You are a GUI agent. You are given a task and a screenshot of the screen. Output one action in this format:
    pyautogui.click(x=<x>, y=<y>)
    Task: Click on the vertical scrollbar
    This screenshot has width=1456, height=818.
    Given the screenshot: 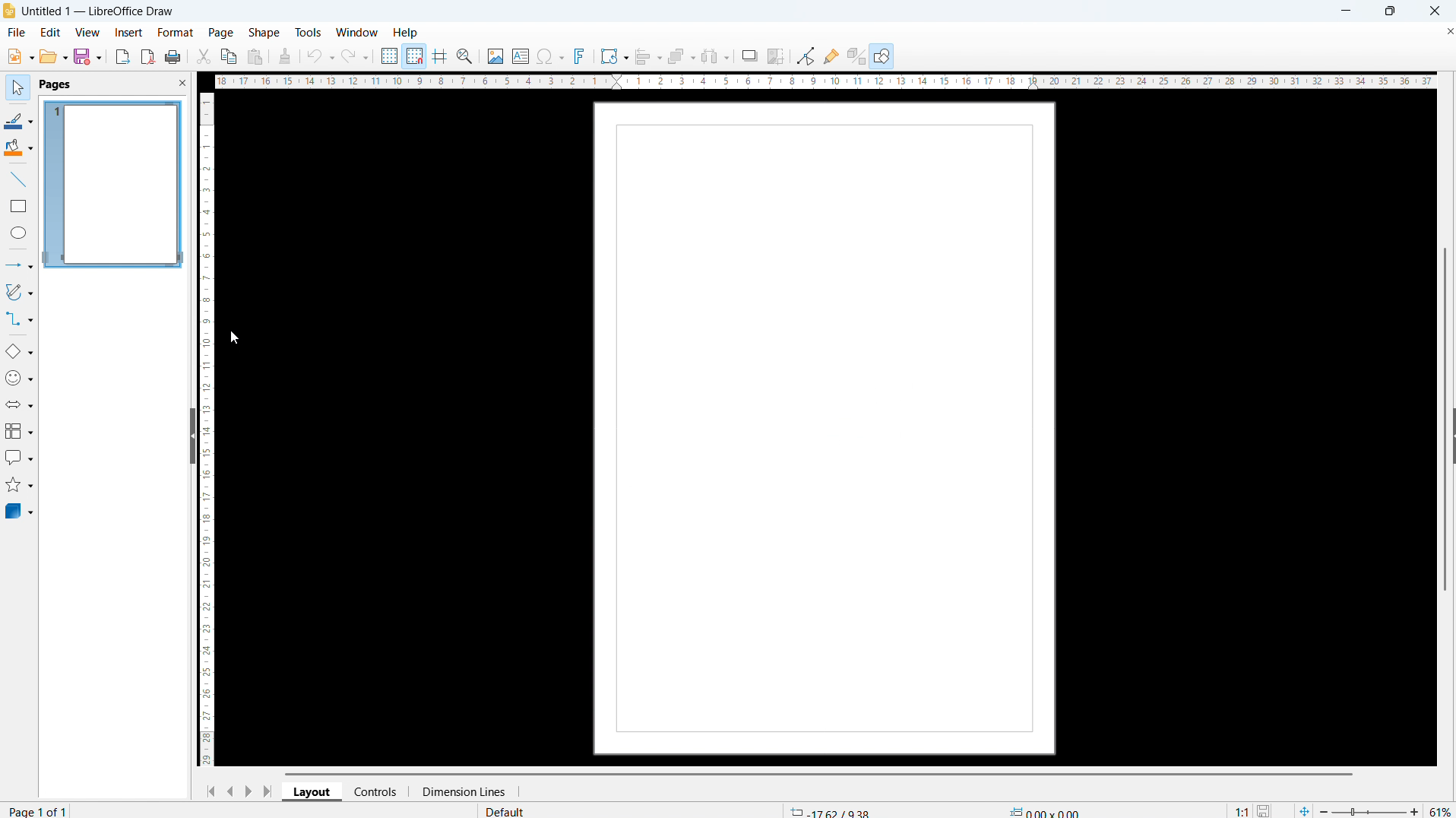 What is the action you would take?
    pyautogui.click(x=1445, y=317)
    